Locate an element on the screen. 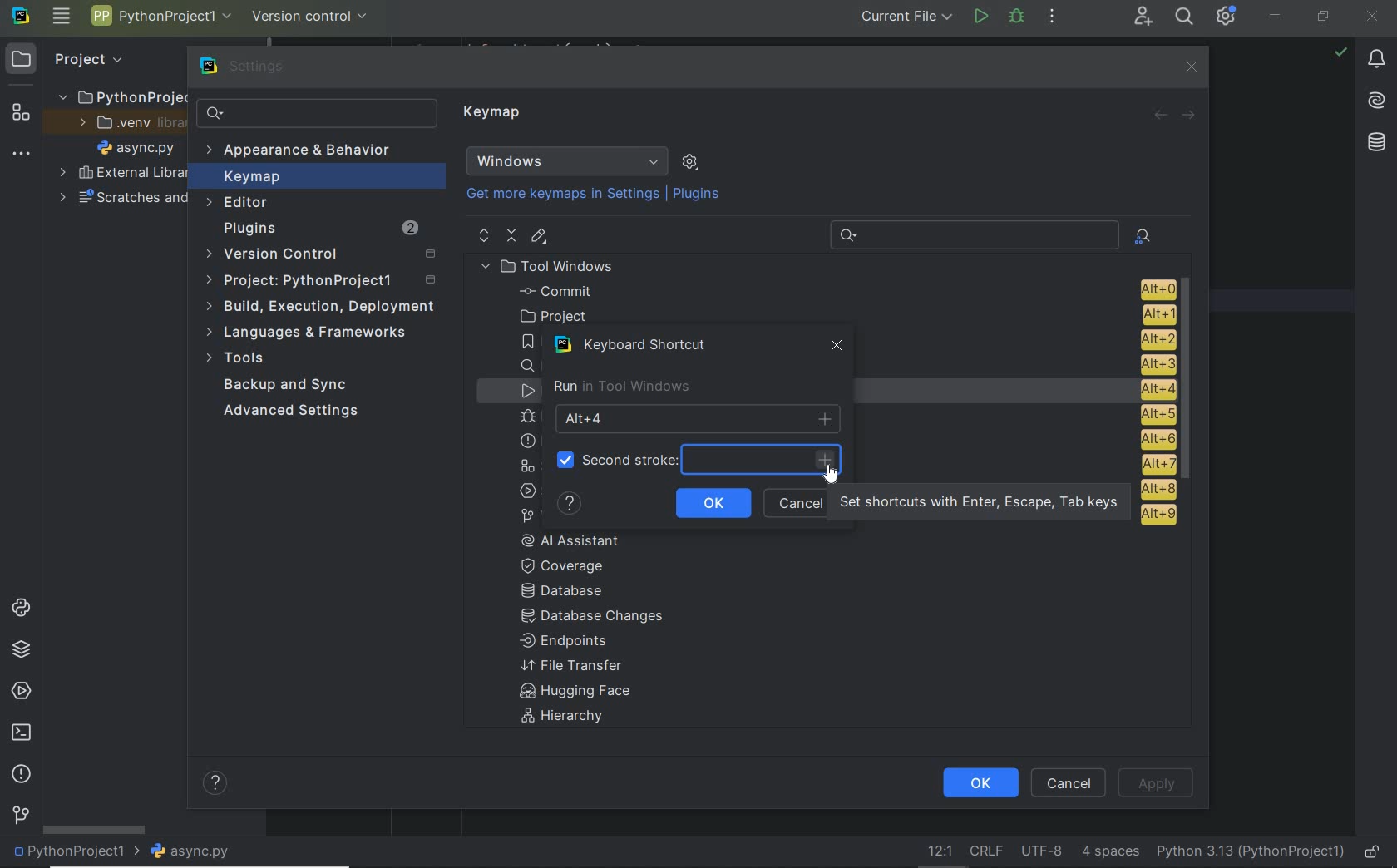 The image size is (1397, 868). AI Assistant is located at coordinates (582, 540).